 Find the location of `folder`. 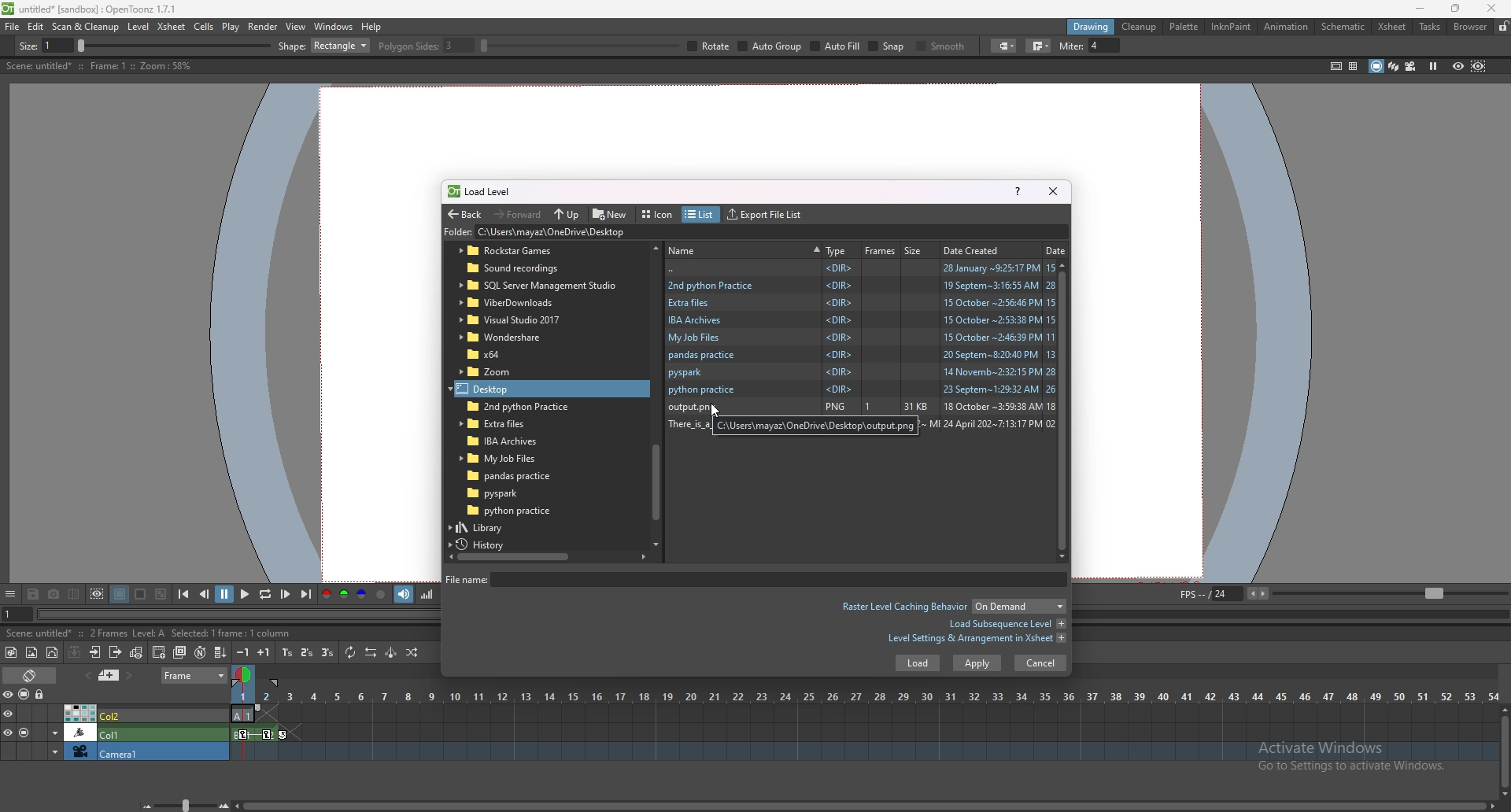

folder is located at coordinates (519, 302).